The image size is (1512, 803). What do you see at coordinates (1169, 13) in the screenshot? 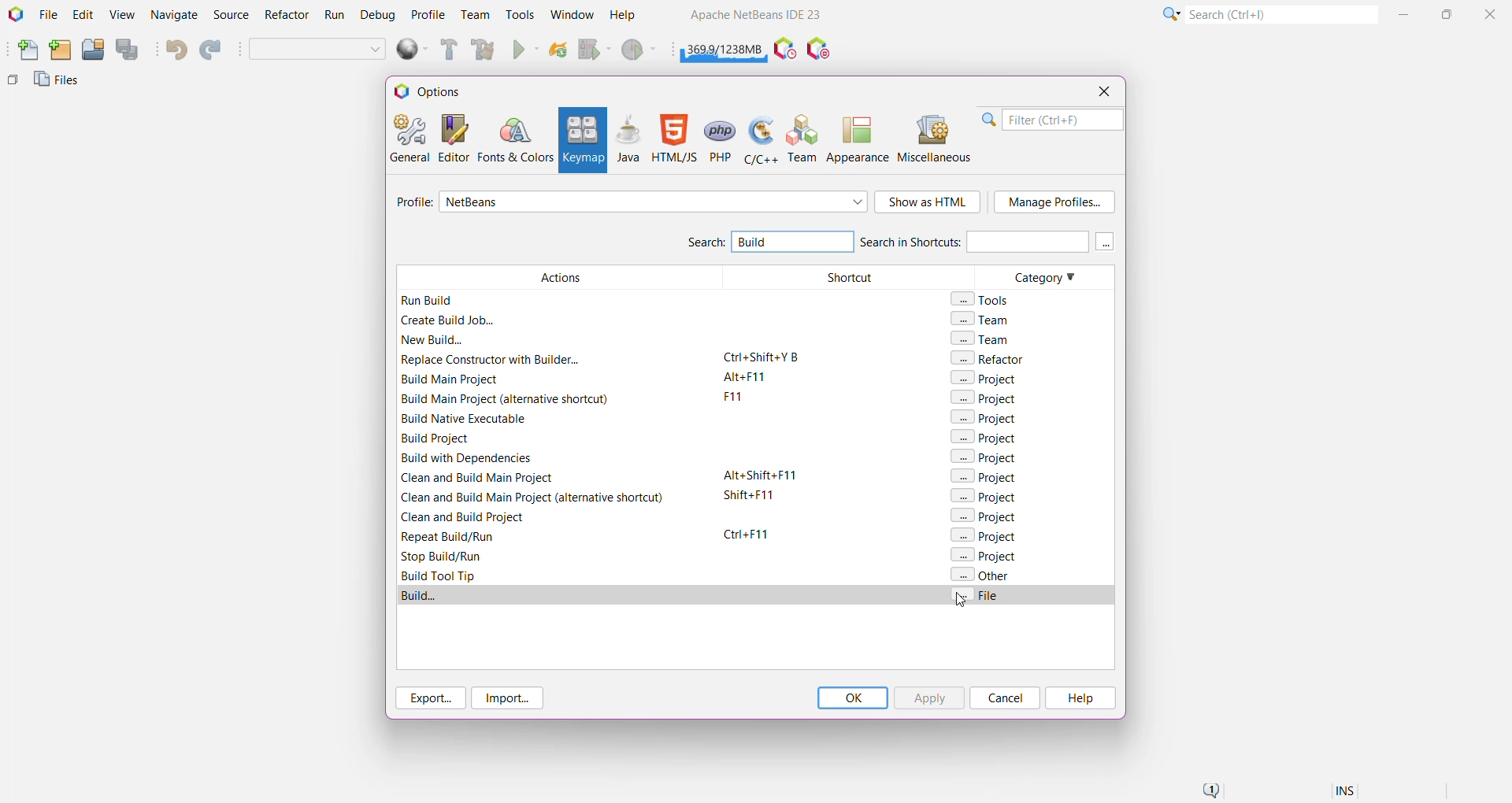
I see `Click or press Shift+F10 for Category Selection` at bounding box center [1169, 13].